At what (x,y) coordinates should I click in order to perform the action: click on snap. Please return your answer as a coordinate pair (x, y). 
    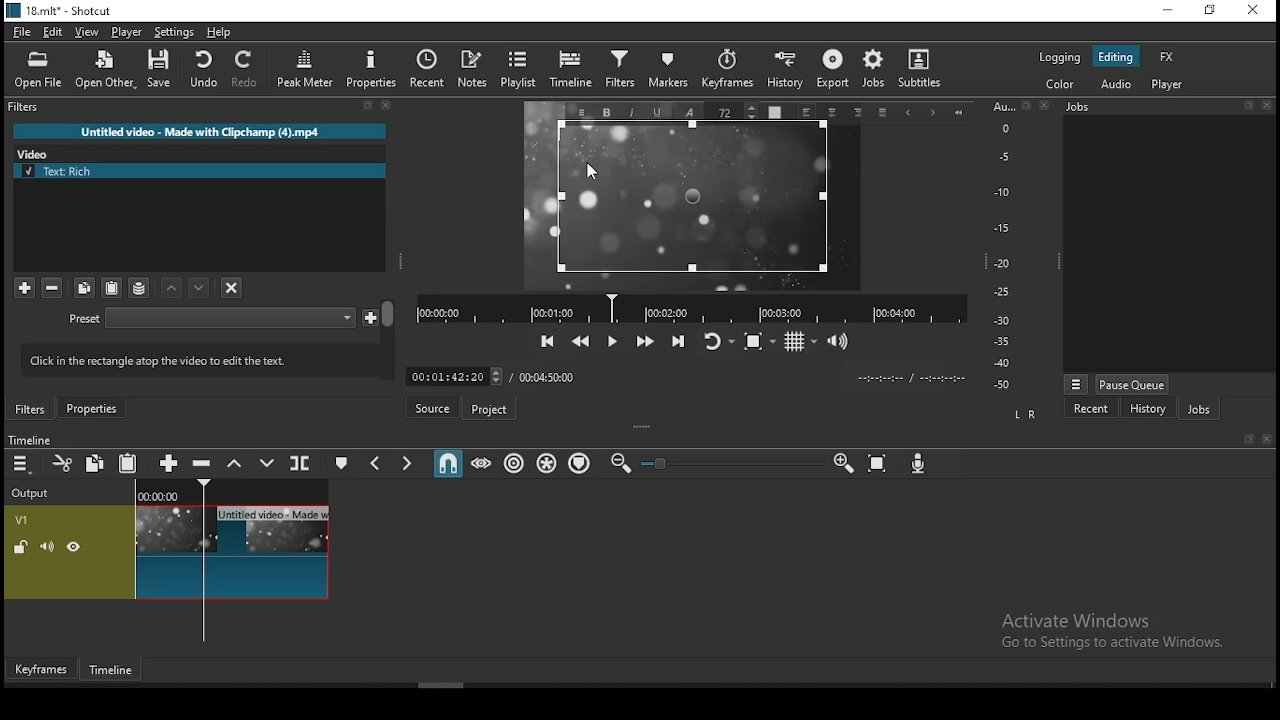
    Looking at the image, I should click on (447, 461).